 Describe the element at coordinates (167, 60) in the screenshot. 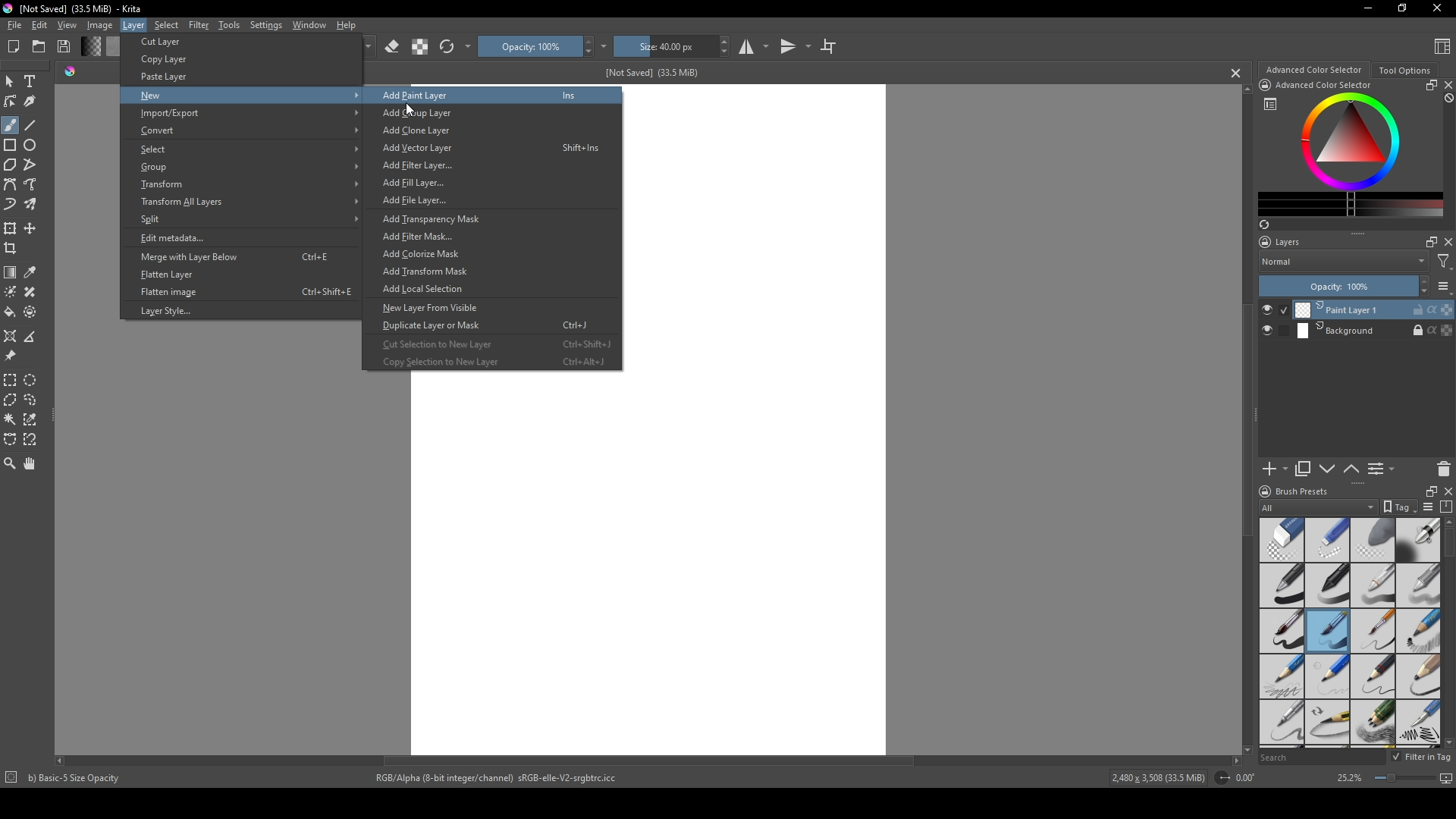

I see `Copy Layer` at that location.